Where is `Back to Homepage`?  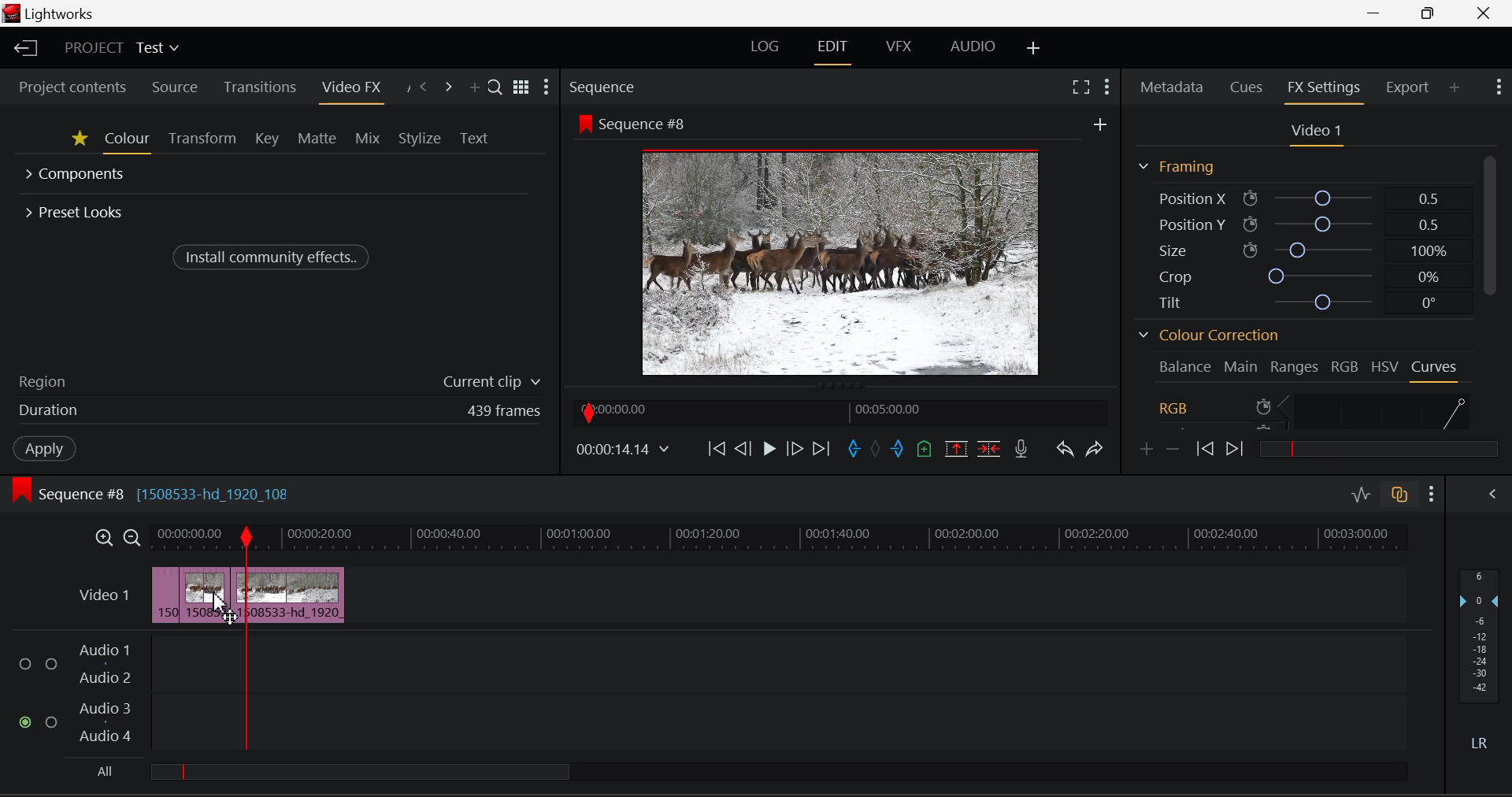
Back to Homepage is located at coordinates (23, 48).